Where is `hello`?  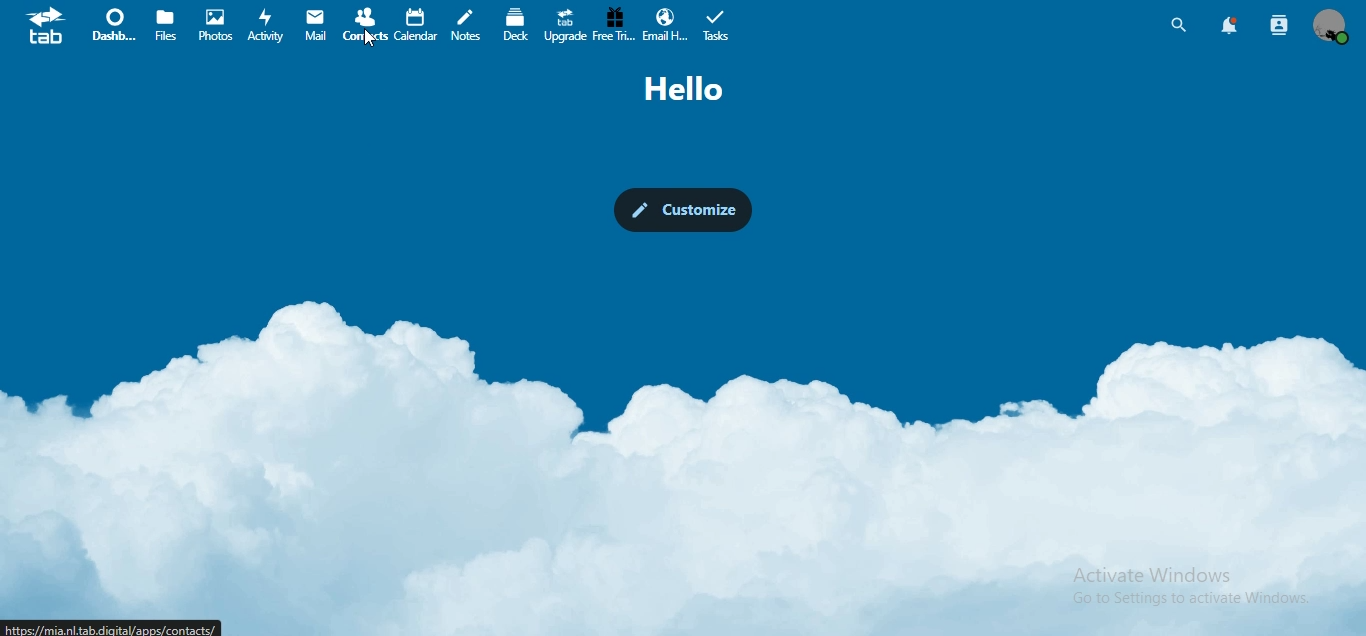 hello is located at coordinates (689, 89).